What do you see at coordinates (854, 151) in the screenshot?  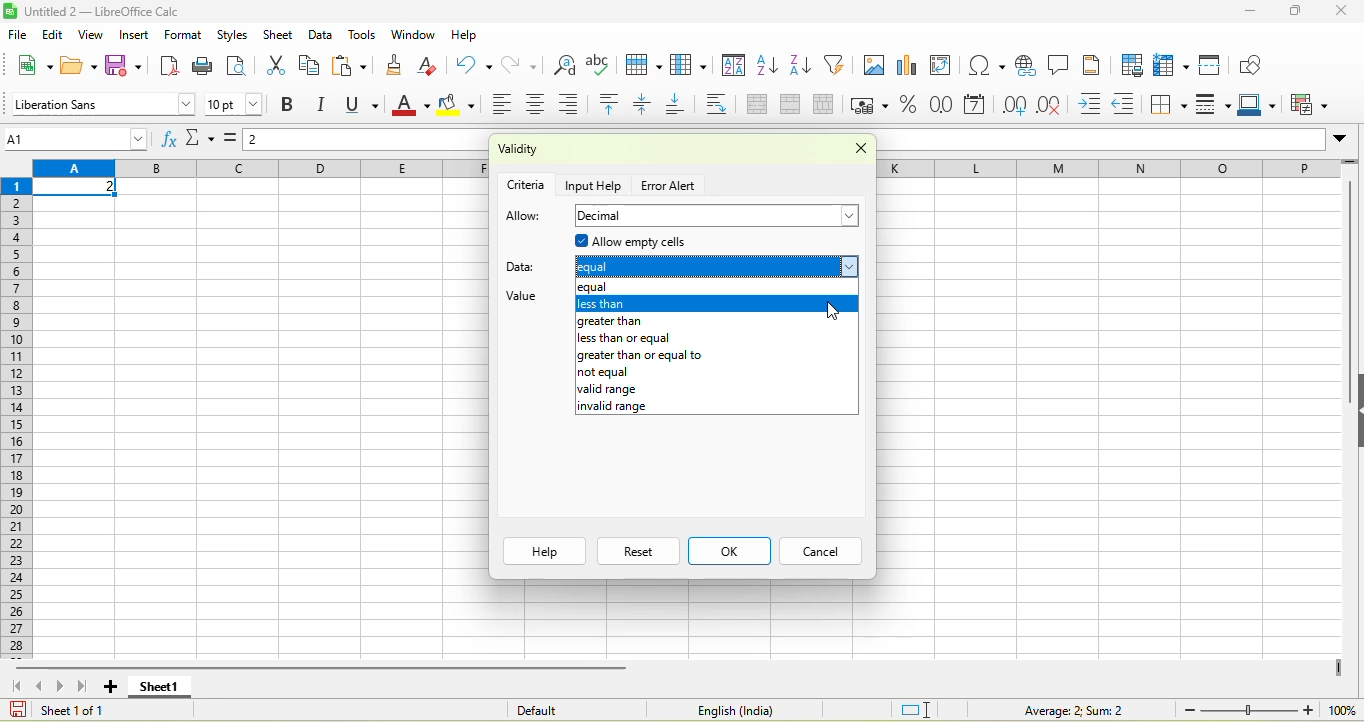 I see `lose` at bounding box center [854, 151].